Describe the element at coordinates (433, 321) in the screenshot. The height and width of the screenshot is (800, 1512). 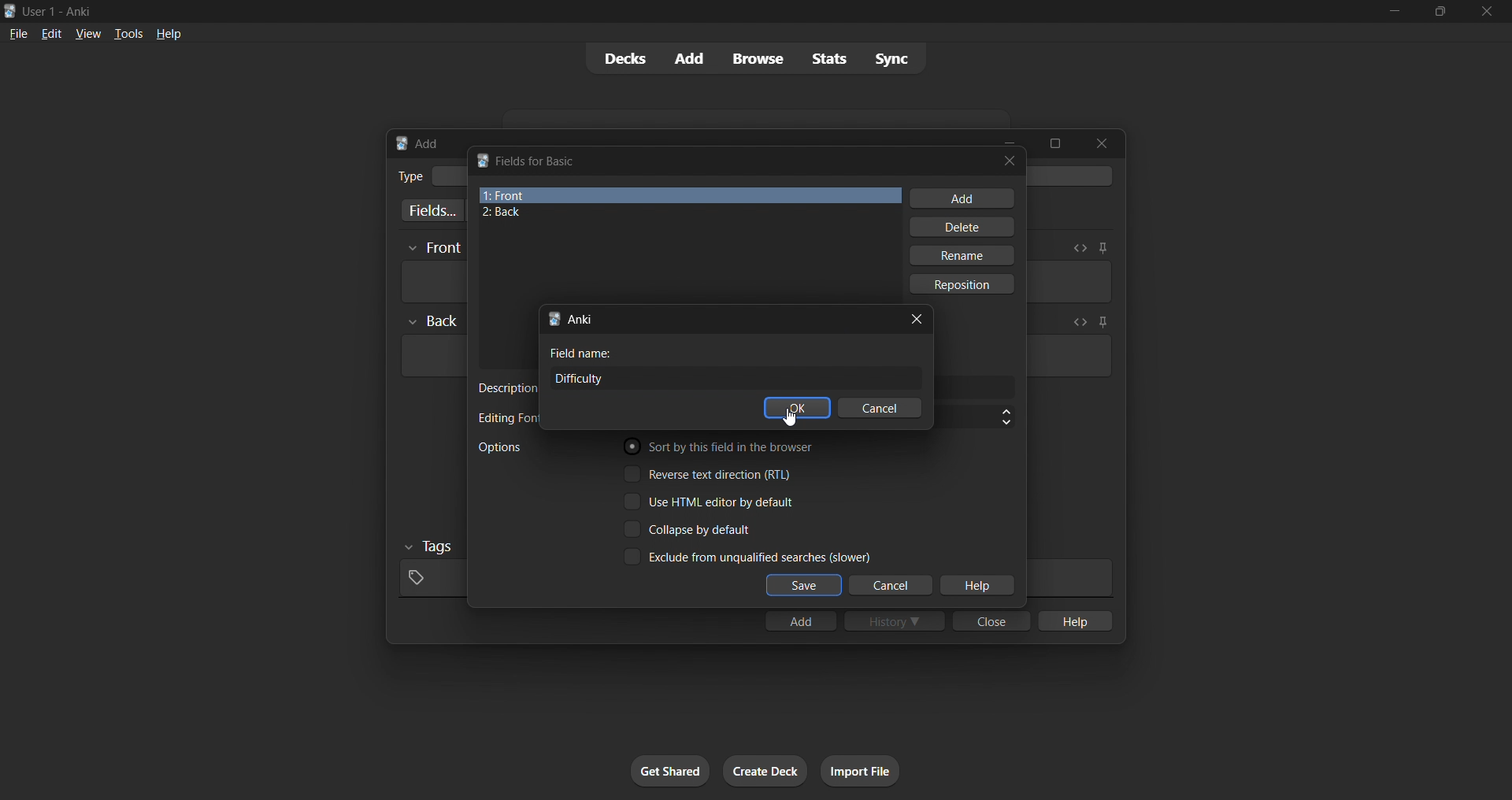
I see `` at that location.